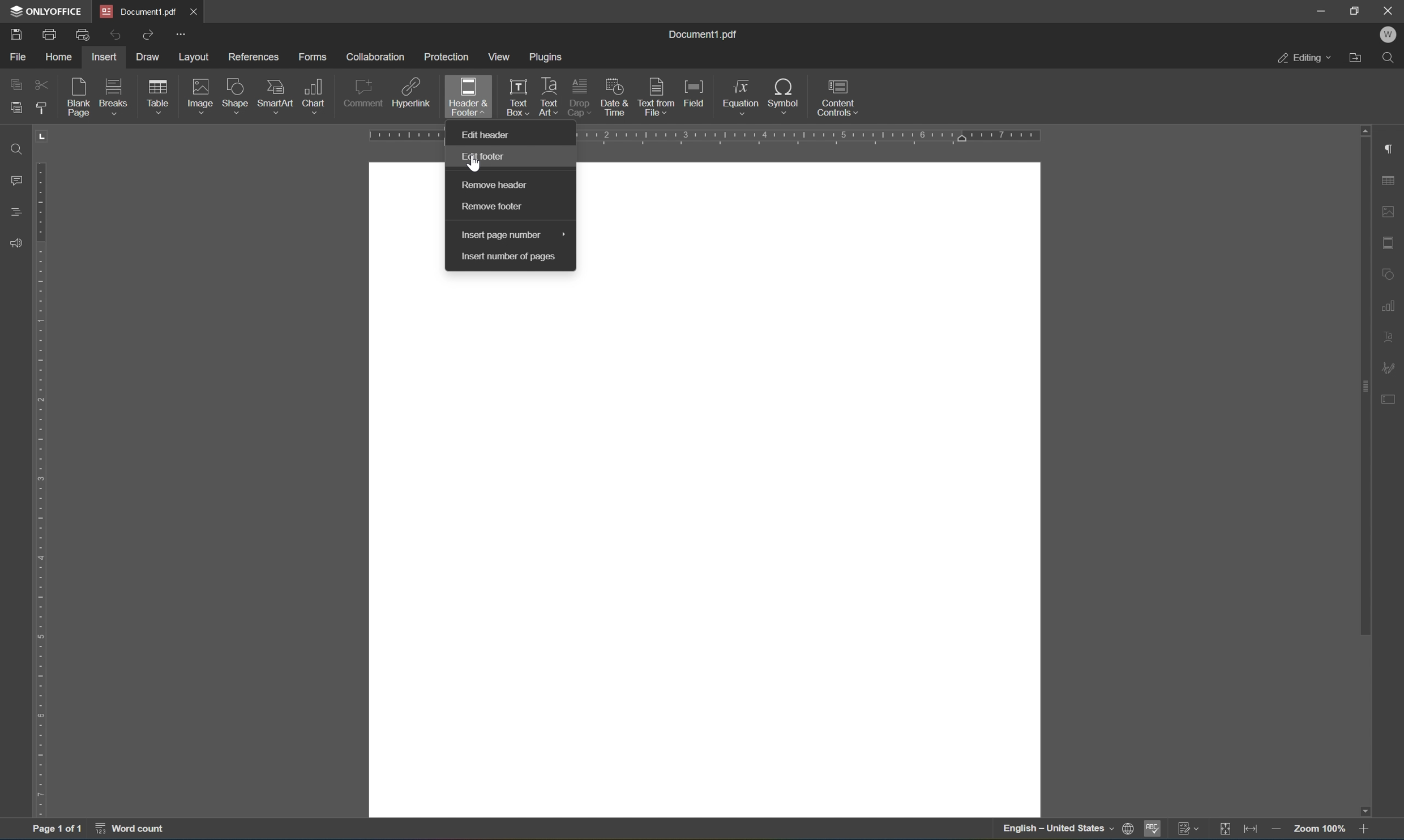 Image resolution: width=1404 pixels, height=840 pixels. Describe the element at coordinates (17, 148) in the screenshot. I see `find` at that location.